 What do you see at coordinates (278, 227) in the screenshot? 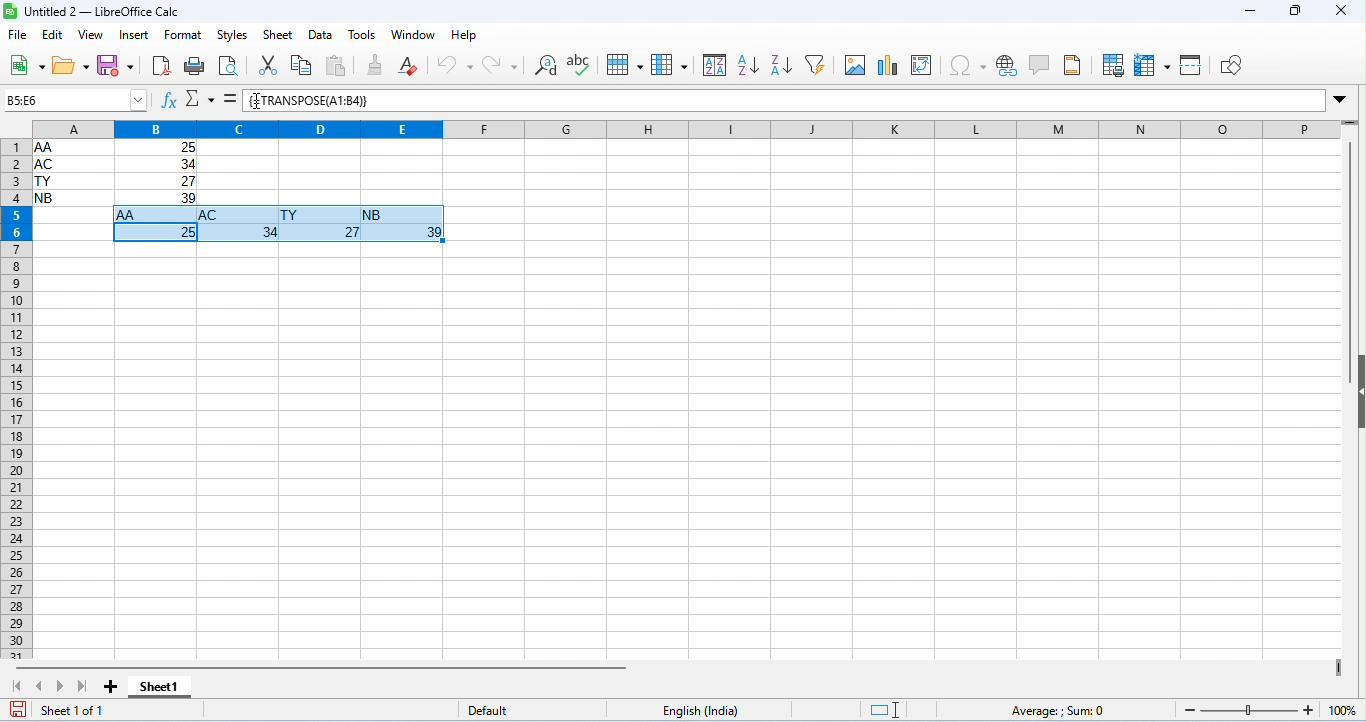
I see `rows and columns switched` at bounding box center [278, 227].